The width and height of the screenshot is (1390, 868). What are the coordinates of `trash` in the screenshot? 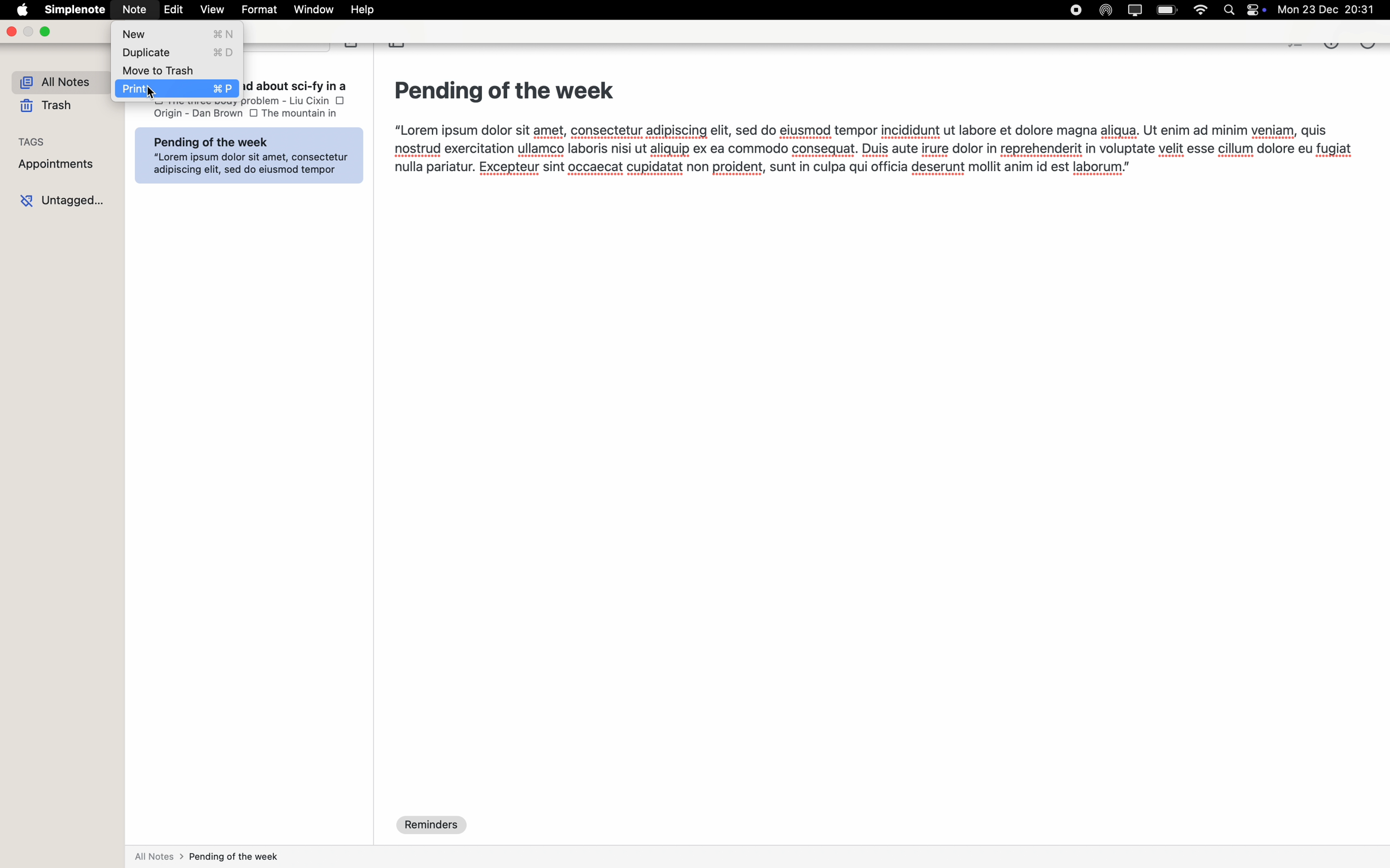 It's located at (46, 109).